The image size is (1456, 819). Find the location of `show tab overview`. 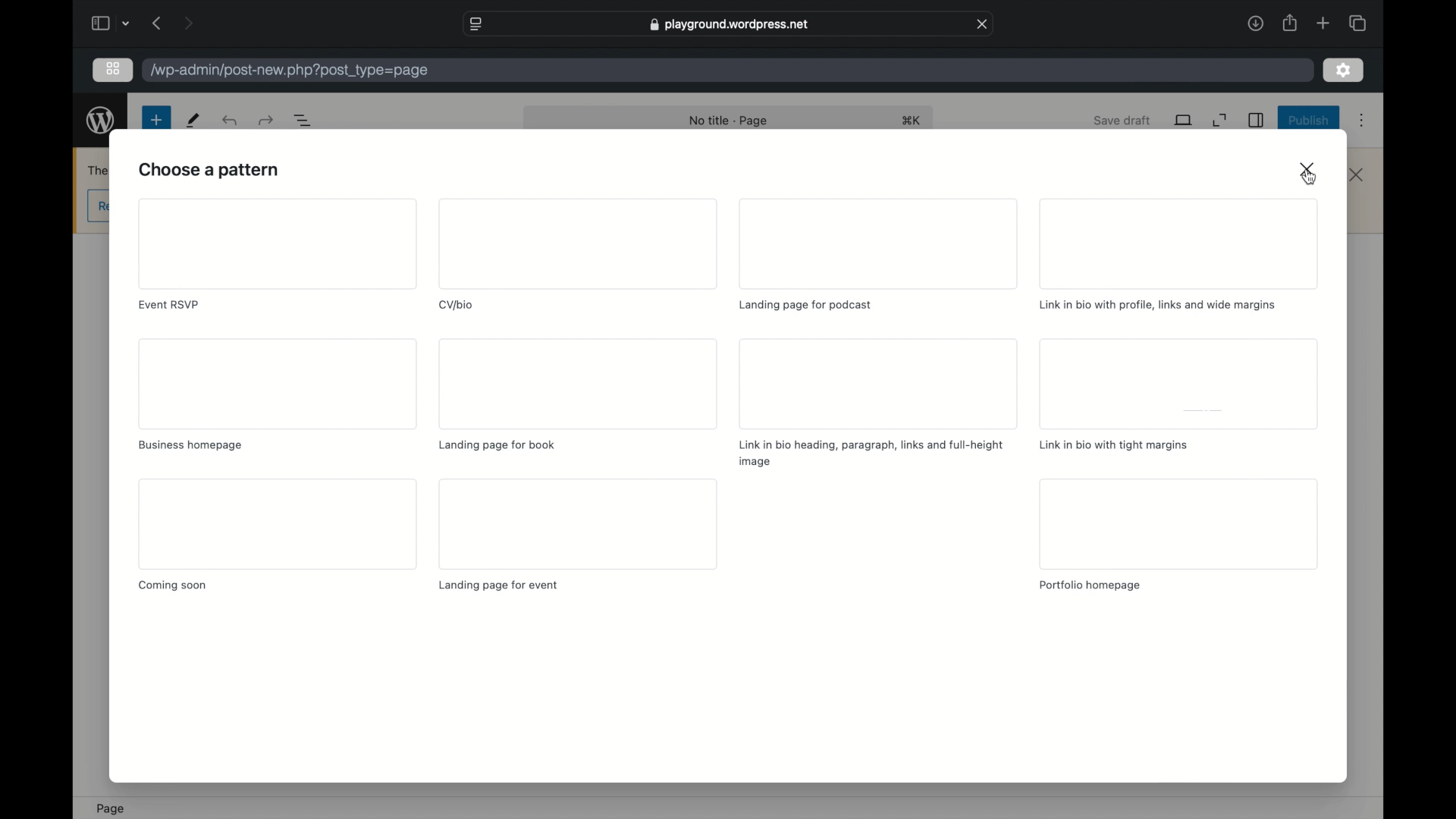

show tab overview is located at coordinates (1359, 23).